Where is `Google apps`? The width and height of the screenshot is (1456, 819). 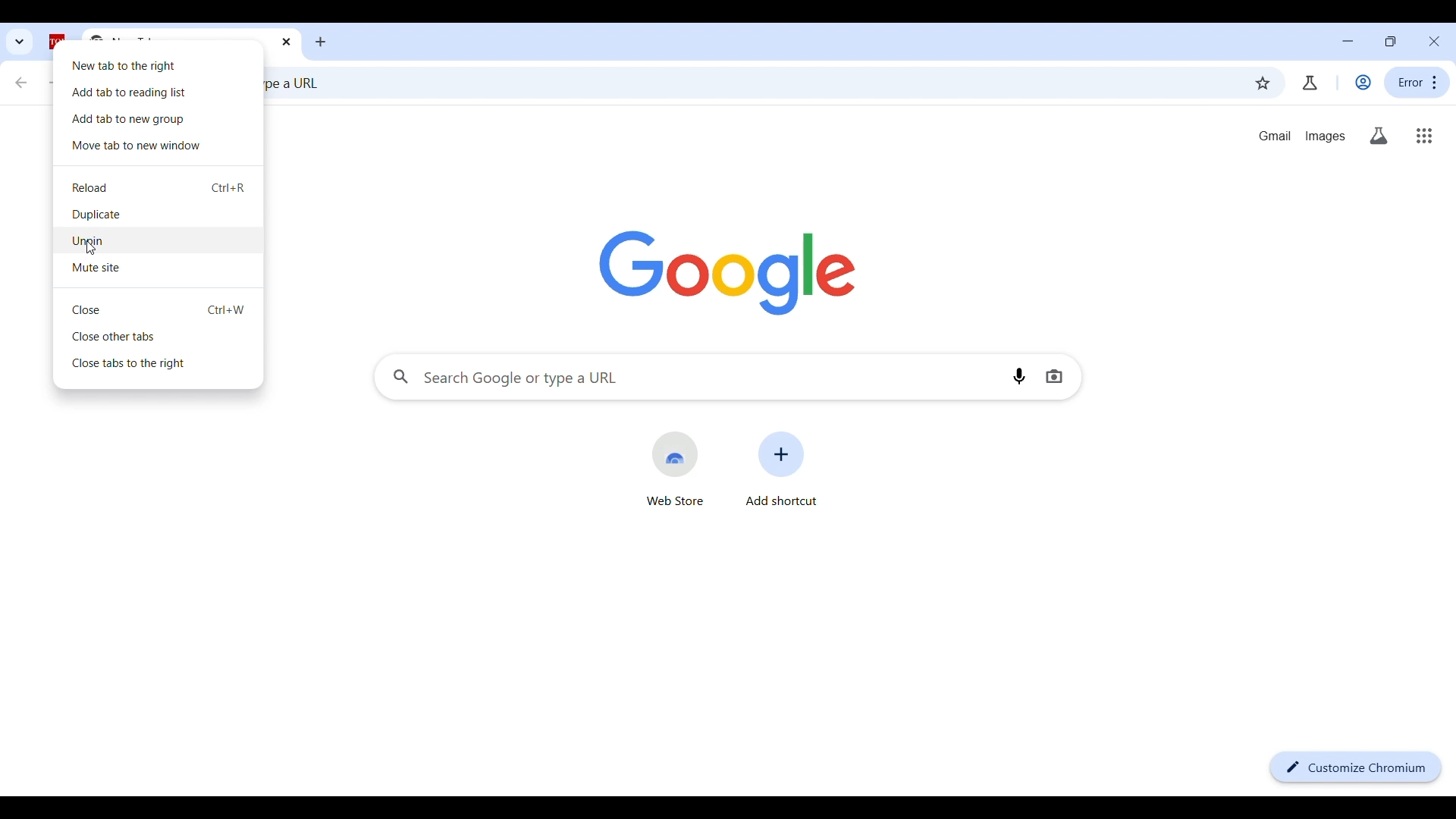 Google apps is located at coordinates (1424, 136).